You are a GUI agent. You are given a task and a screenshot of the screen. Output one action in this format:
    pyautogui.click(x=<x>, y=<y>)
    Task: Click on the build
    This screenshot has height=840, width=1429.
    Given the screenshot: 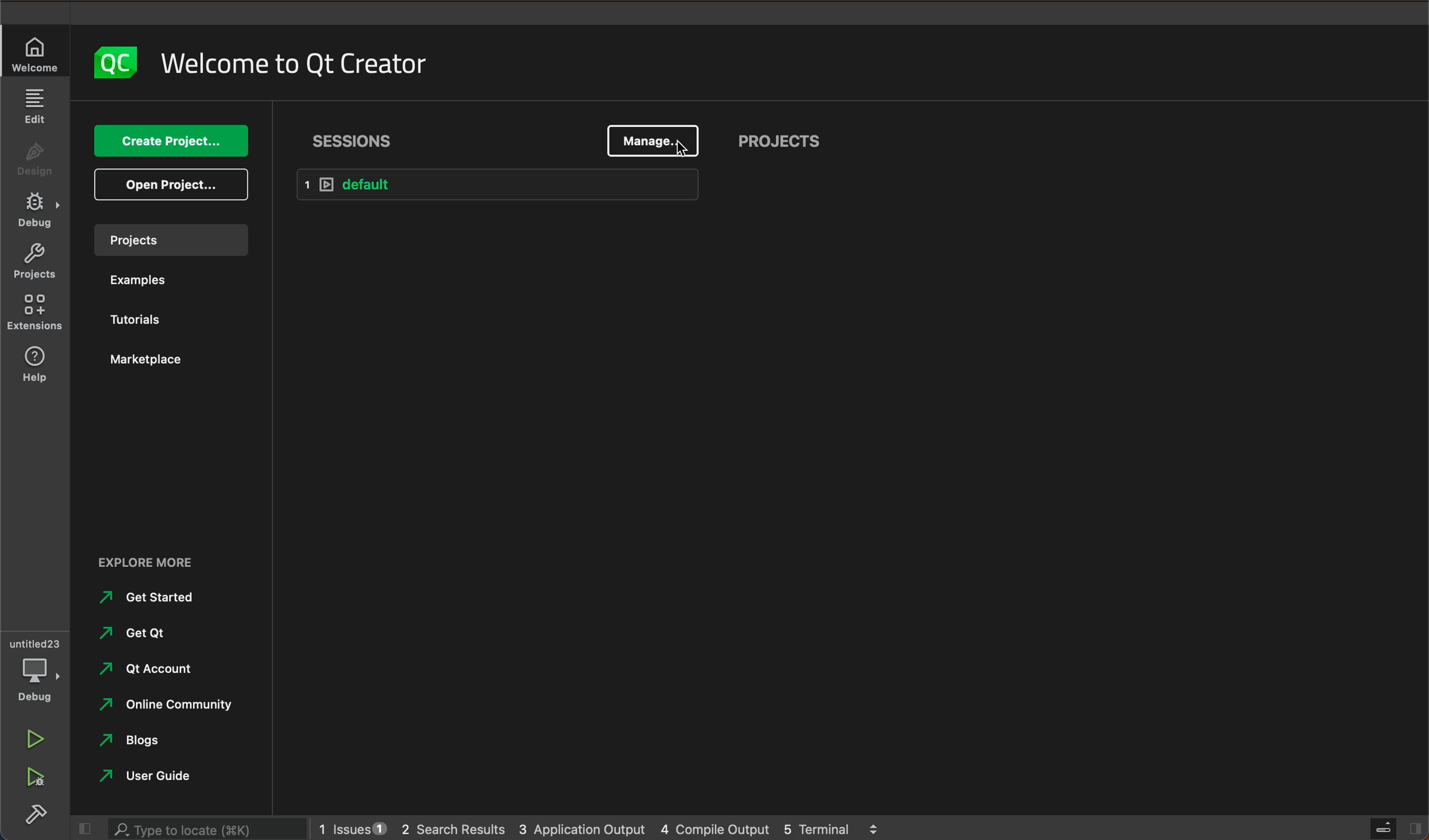 What is the action you would take?
    pyautogui.click(x=32, y=812)
    